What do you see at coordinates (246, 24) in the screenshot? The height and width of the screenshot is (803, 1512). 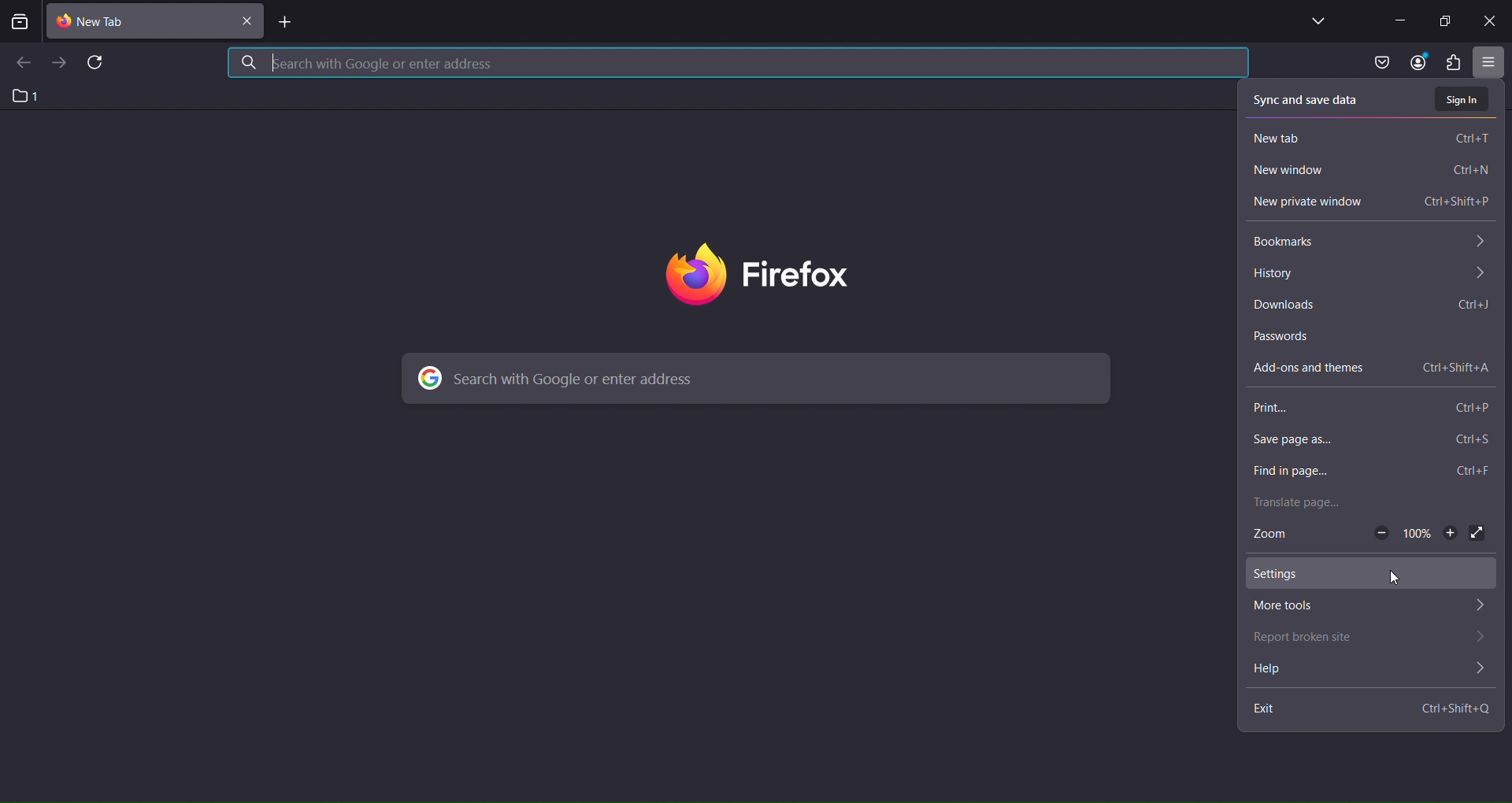 I see `close` at bounding box center [246, 24].